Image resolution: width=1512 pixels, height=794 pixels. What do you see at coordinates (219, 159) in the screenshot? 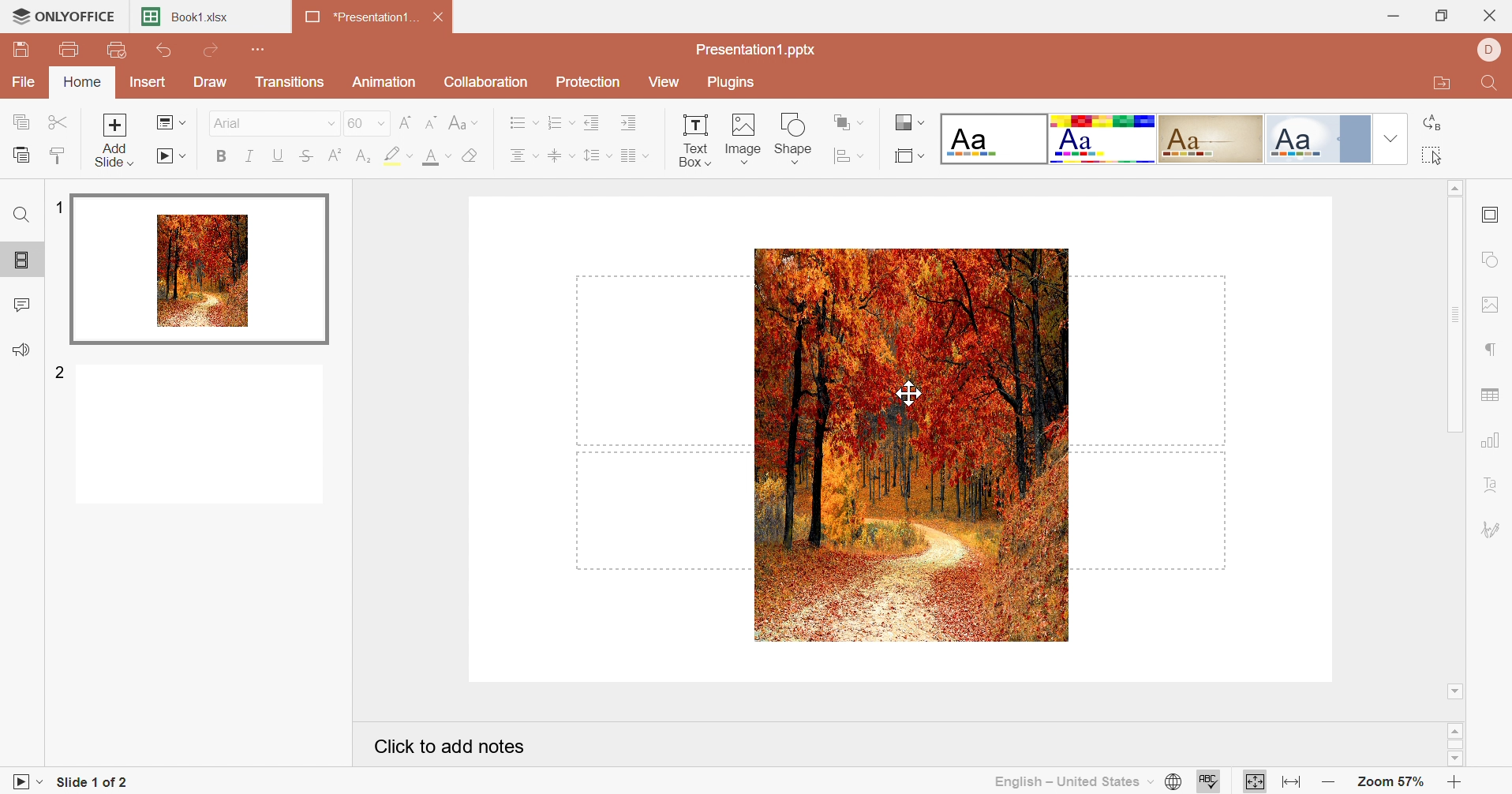
I see `Bold` at bounding box center [219, 159].